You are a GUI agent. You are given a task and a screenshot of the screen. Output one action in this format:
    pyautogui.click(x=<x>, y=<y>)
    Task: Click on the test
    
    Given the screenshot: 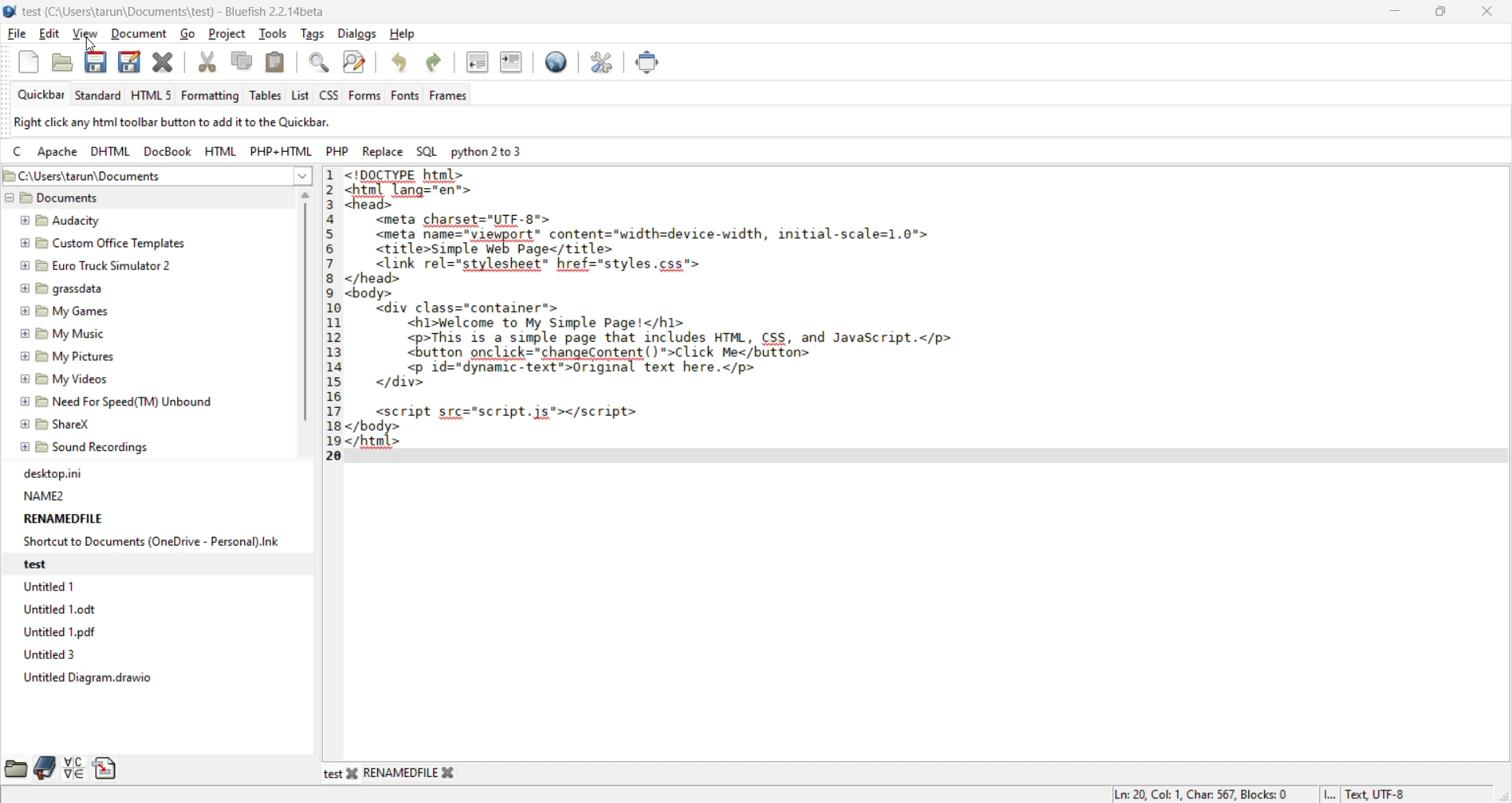 What is the action you would take?
    pyautogui.click(x=46, y=564)
    